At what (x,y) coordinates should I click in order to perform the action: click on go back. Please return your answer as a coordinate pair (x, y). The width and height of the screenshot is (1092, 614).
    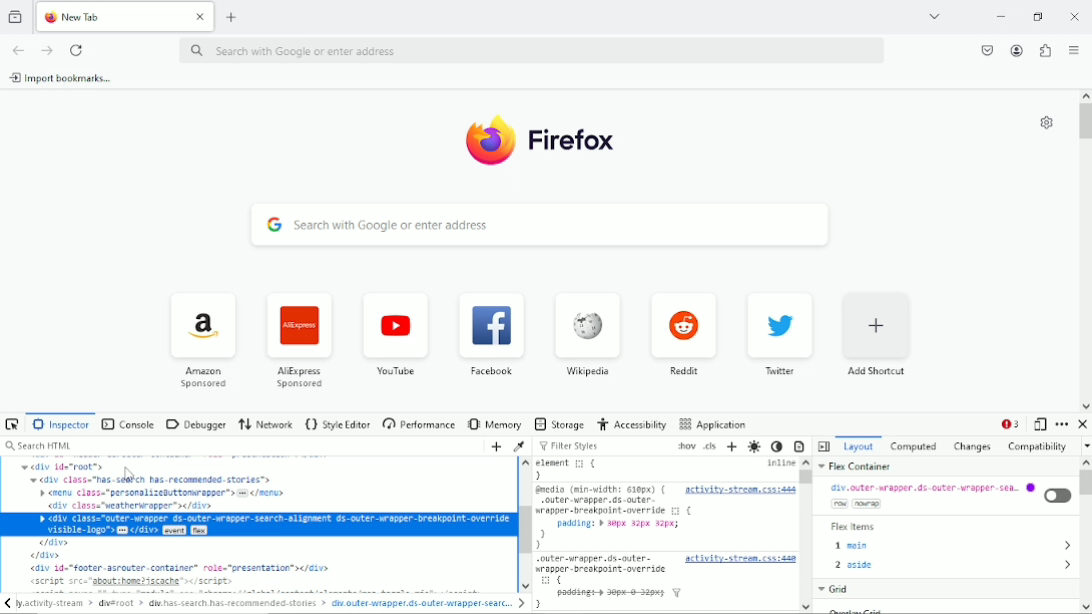
    Looking at the image, I should click on (18, 50).